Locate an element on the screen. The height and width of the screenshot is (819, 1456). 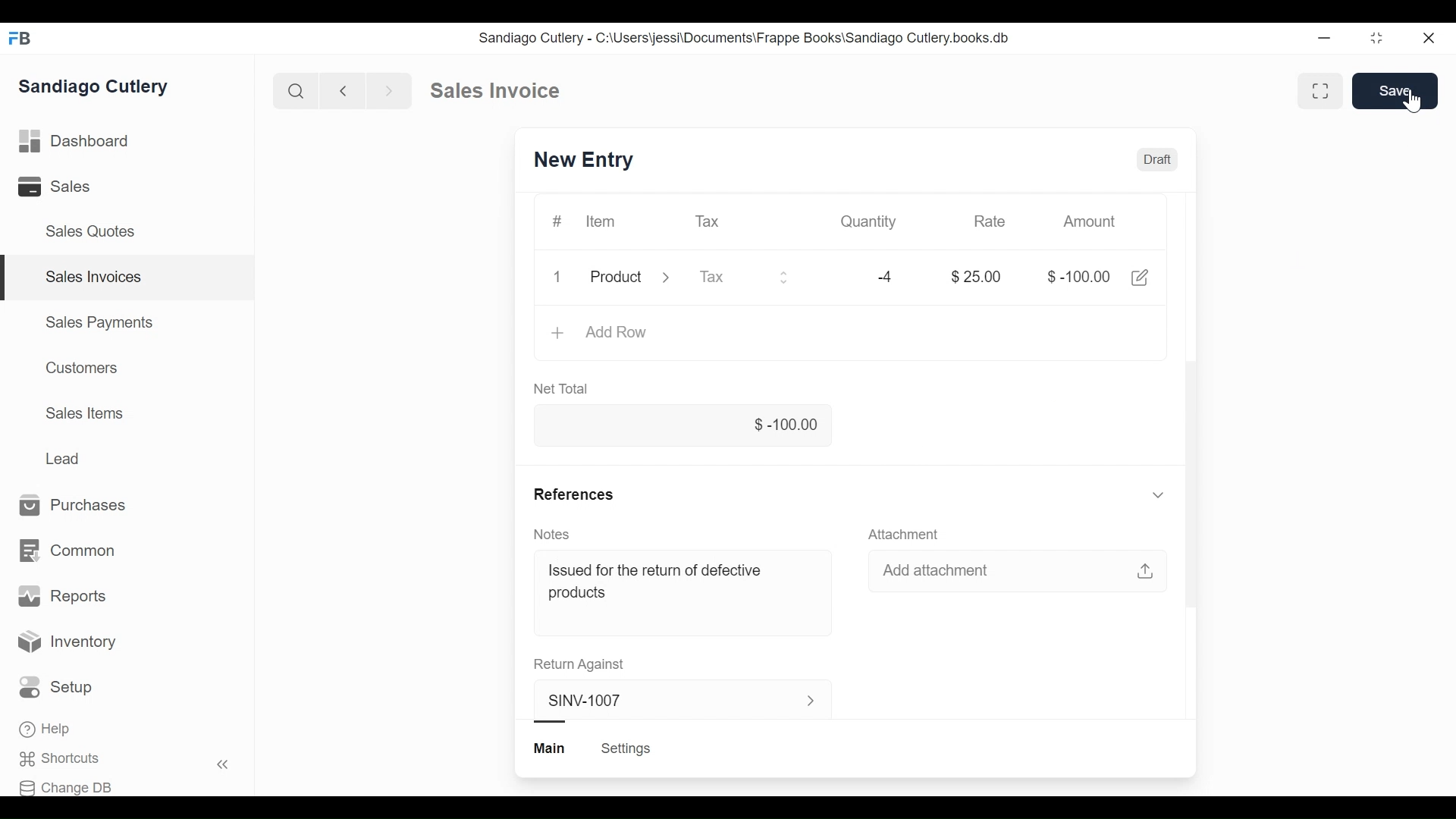
Amount is located at coordinates (1089, 221).